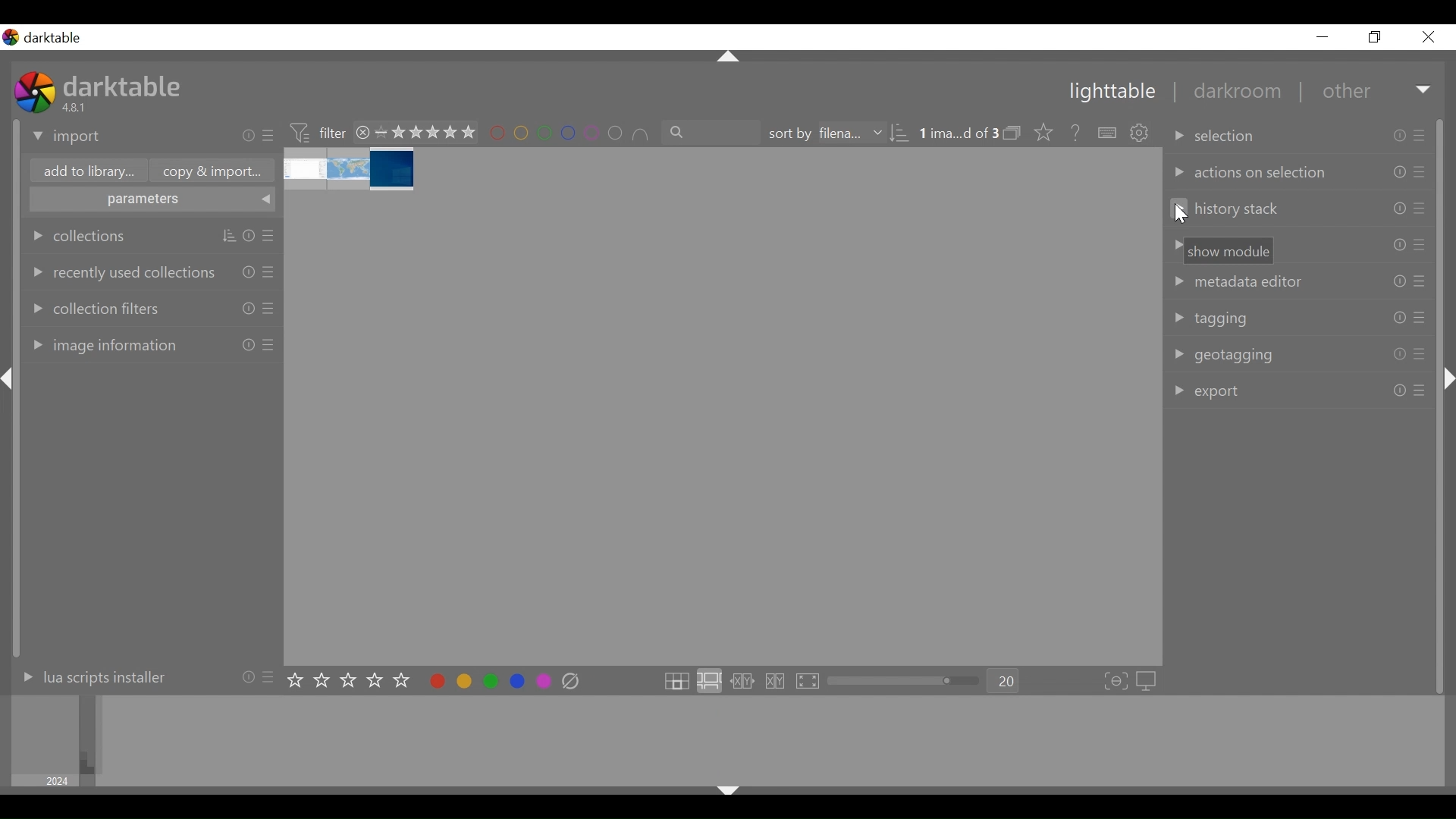 This screenshot has width=1456, height=819. Describe the element at coordinates (1423, 172) in the screenshot. I see `presets` at that location.